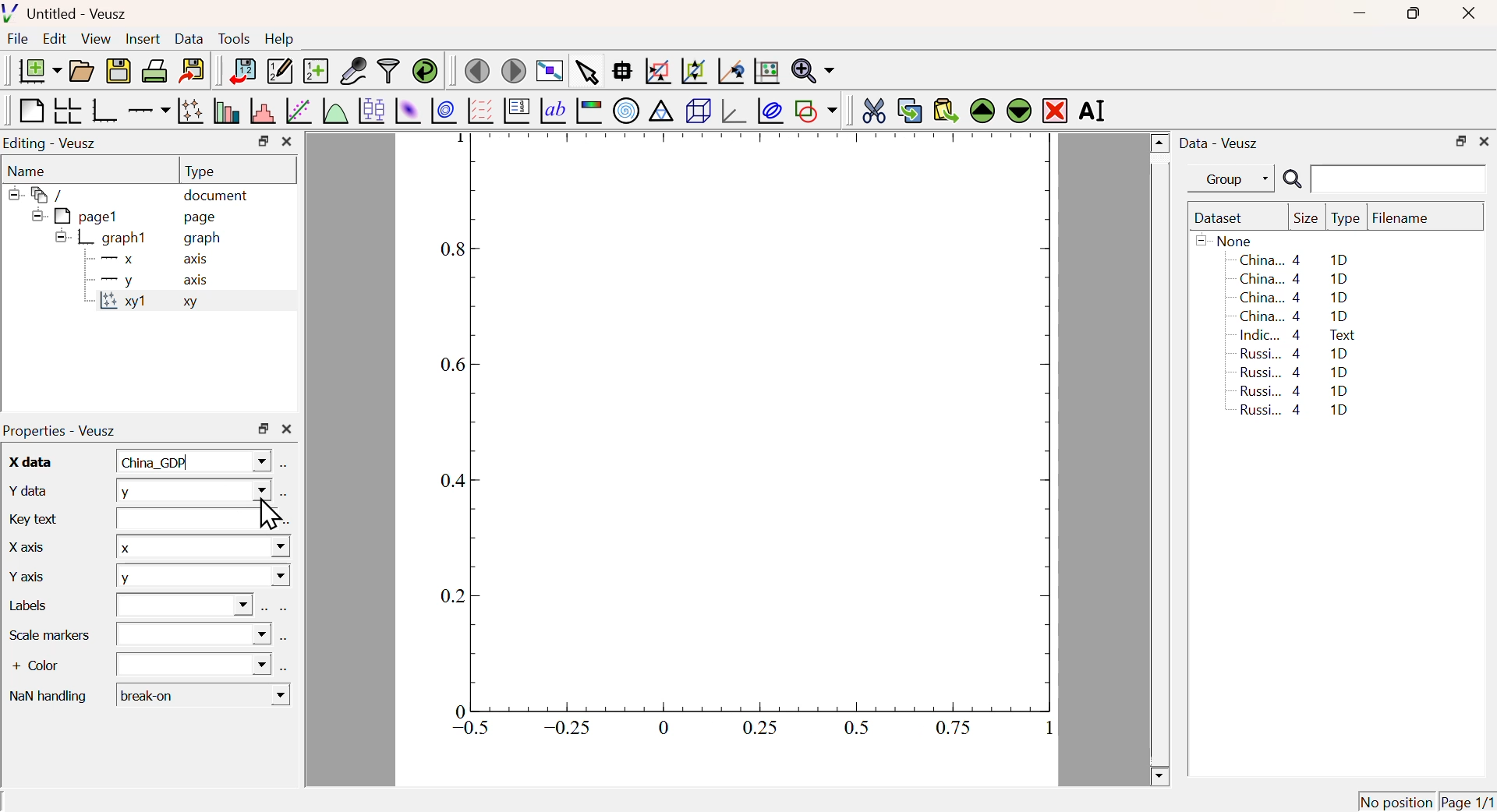  What do you see at coordinates (1226, 240) in the screenshot?
I see `None` at bounding box center [1226, 240].